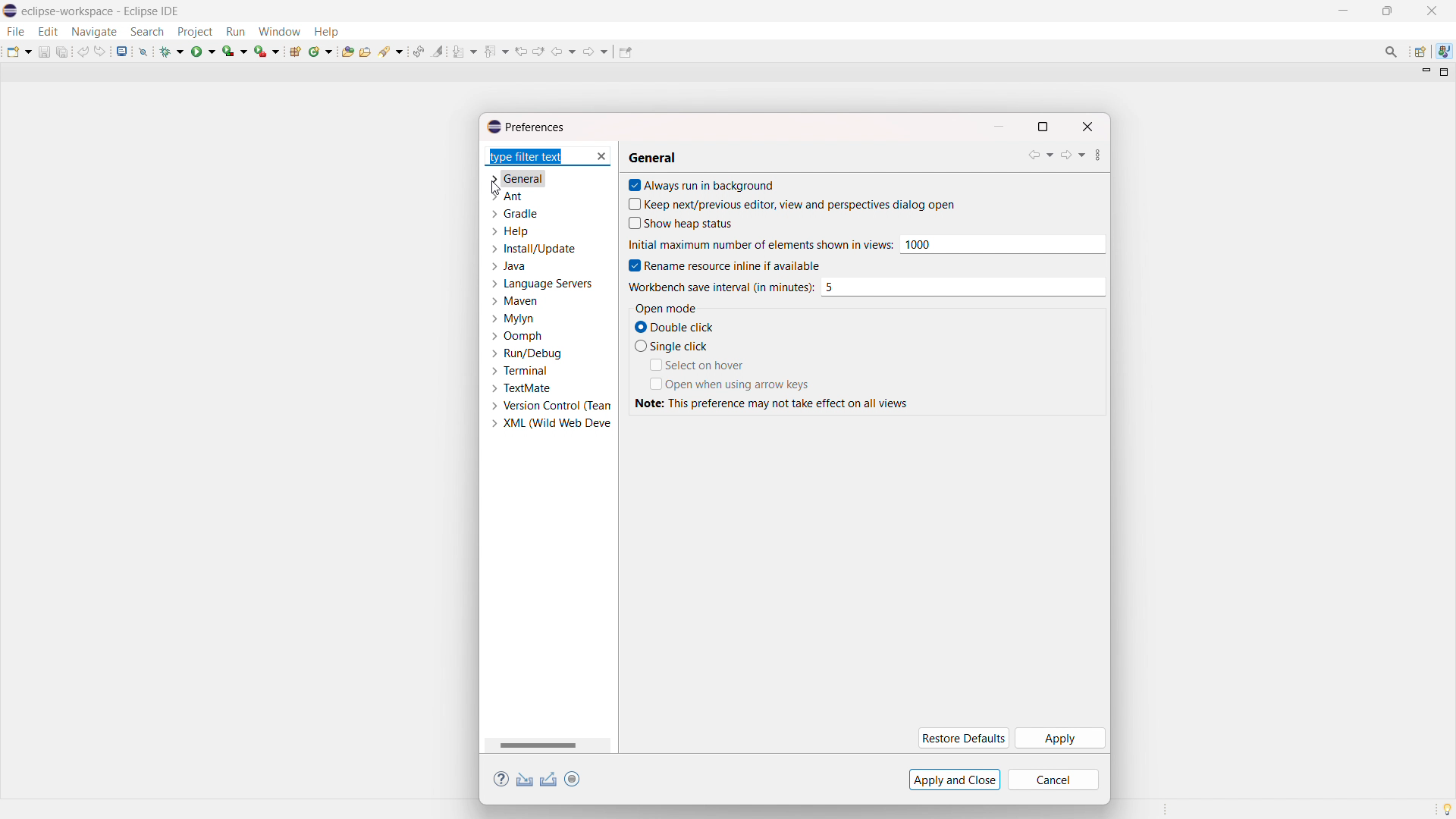 The image size is (1456, 819). What do you see at coordinates (739, 384) in the screenshot?
I see `open when using arrow keys` at bounding box center [739, 384].